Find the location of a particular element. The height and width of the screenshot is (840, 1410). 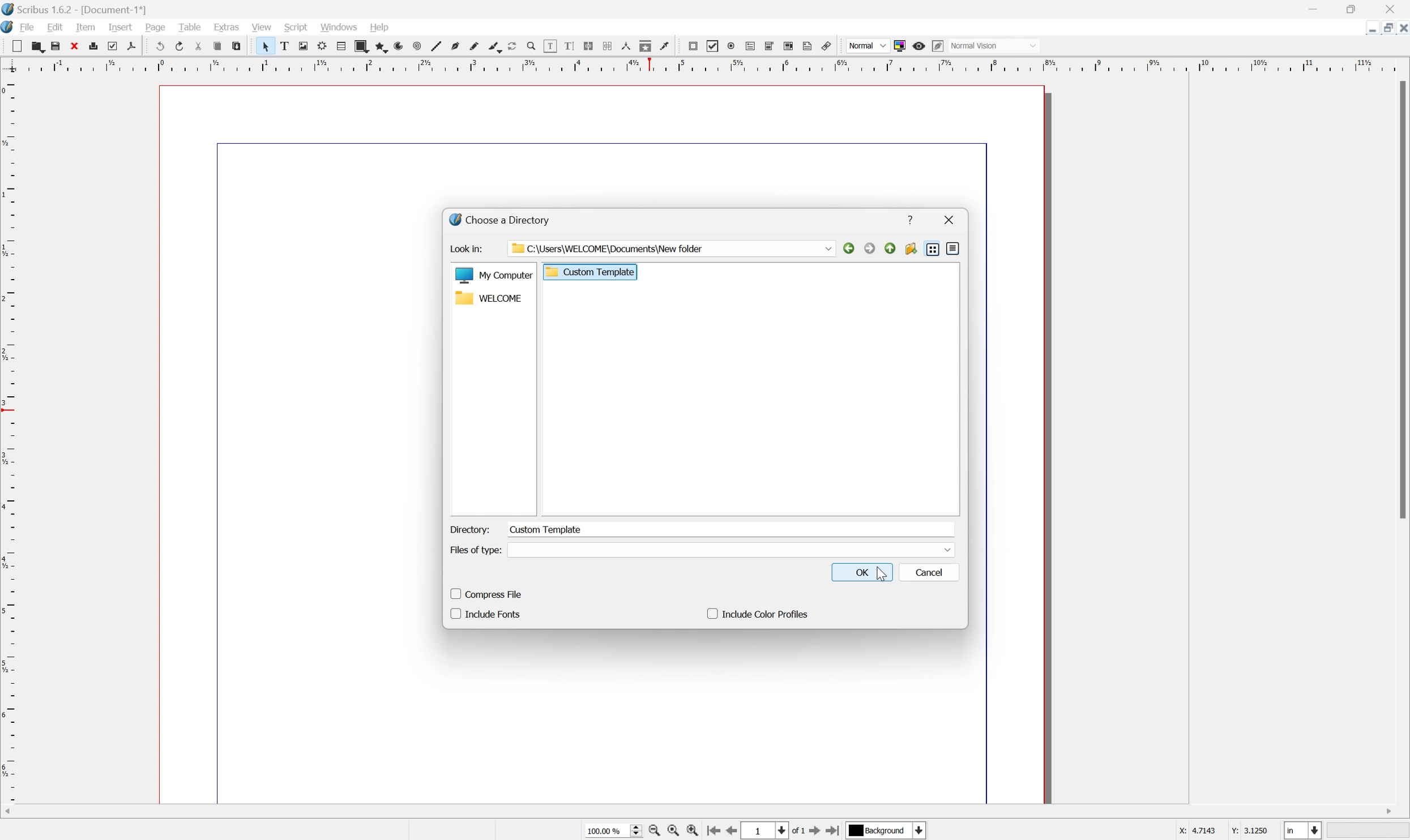

100.00% is located at coordinates (615, 831).